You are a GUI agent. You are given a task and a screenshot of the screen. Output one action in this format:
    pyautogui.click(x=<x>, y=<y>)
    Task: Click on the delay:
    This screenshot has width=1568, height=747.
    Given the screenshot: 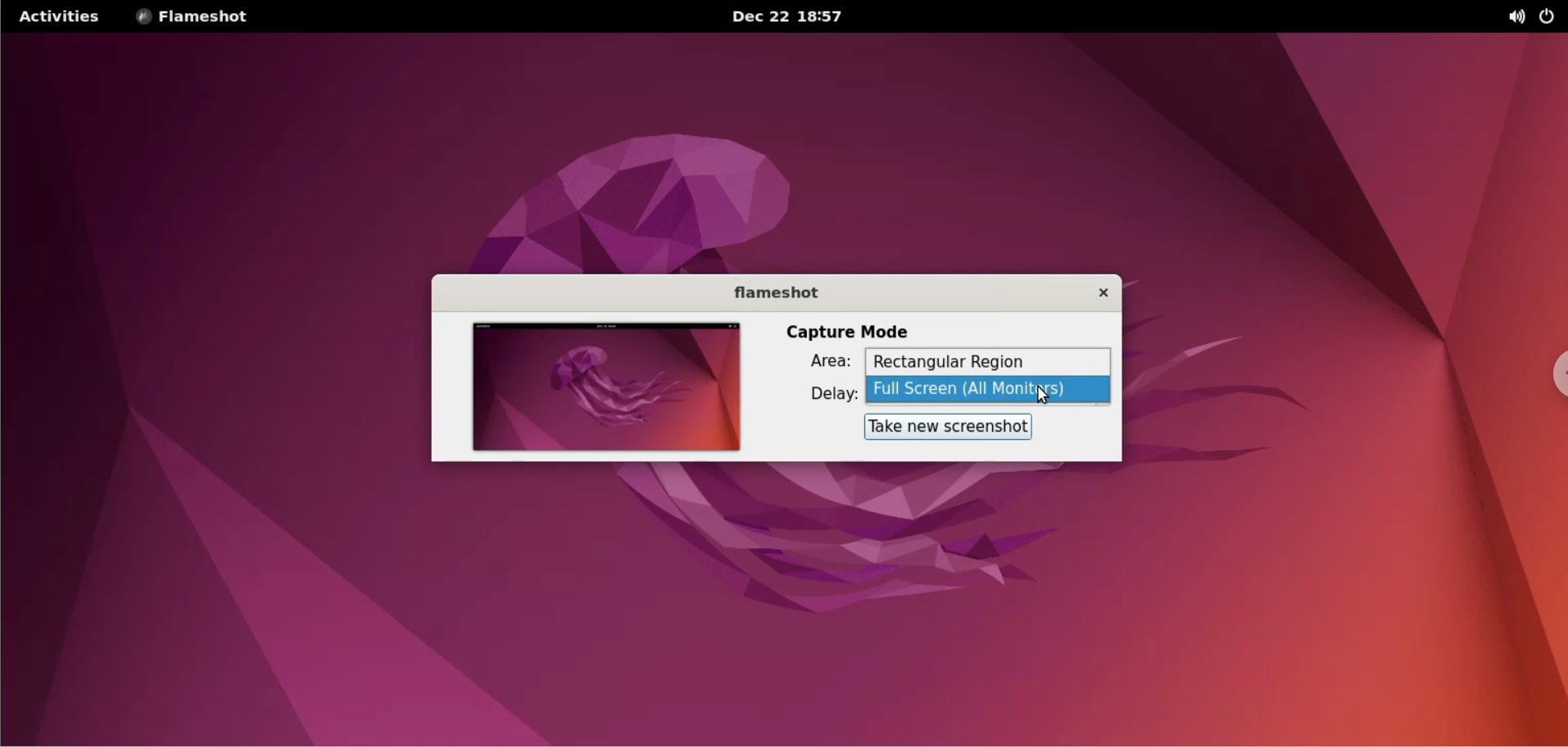 What is the action you would take?
    pyautogui.click(x=819, y=394)
    